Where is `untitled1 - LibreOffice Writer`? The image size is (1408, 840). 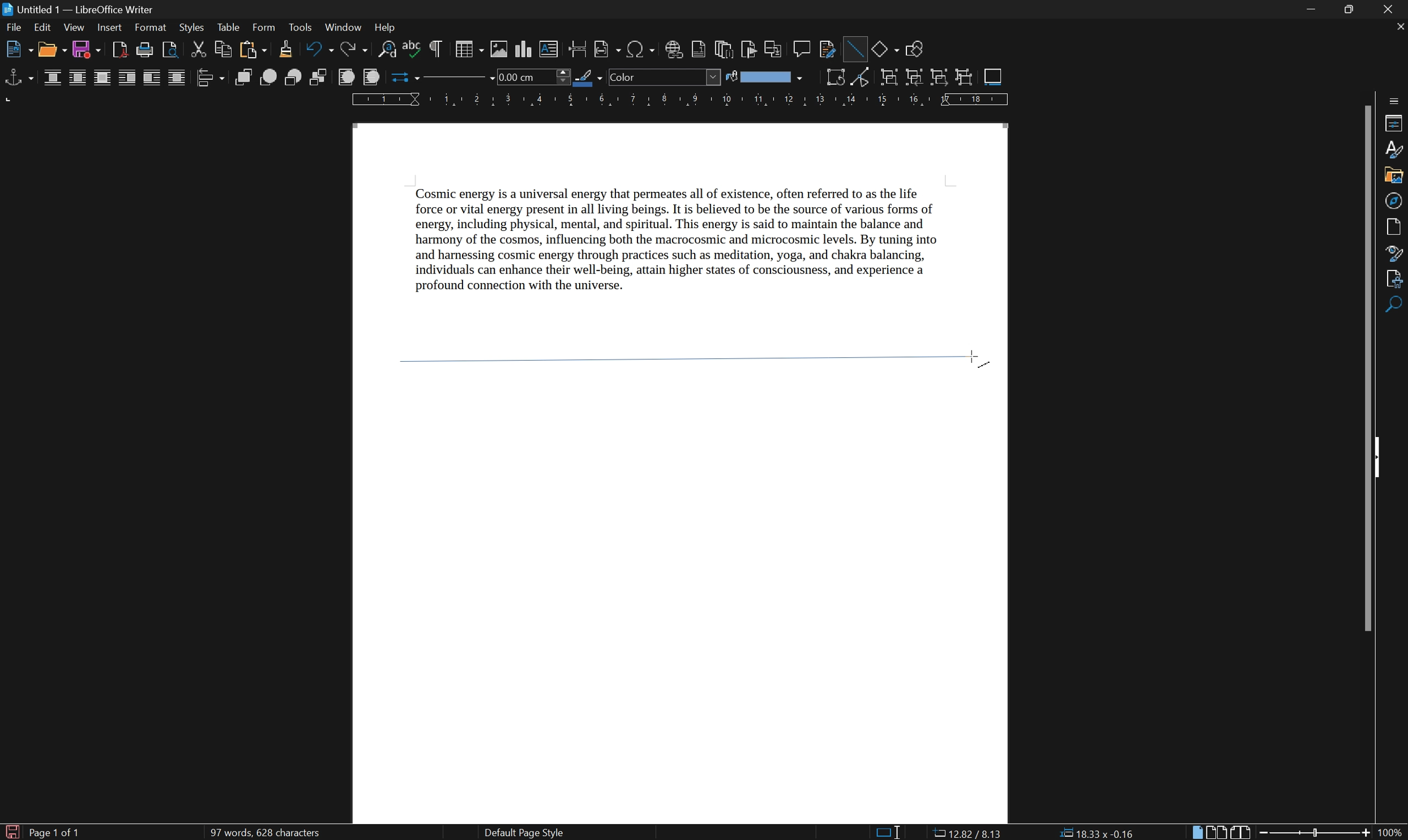
untitled1 - LibreOffice Writer is located at coordinates (81, 9).